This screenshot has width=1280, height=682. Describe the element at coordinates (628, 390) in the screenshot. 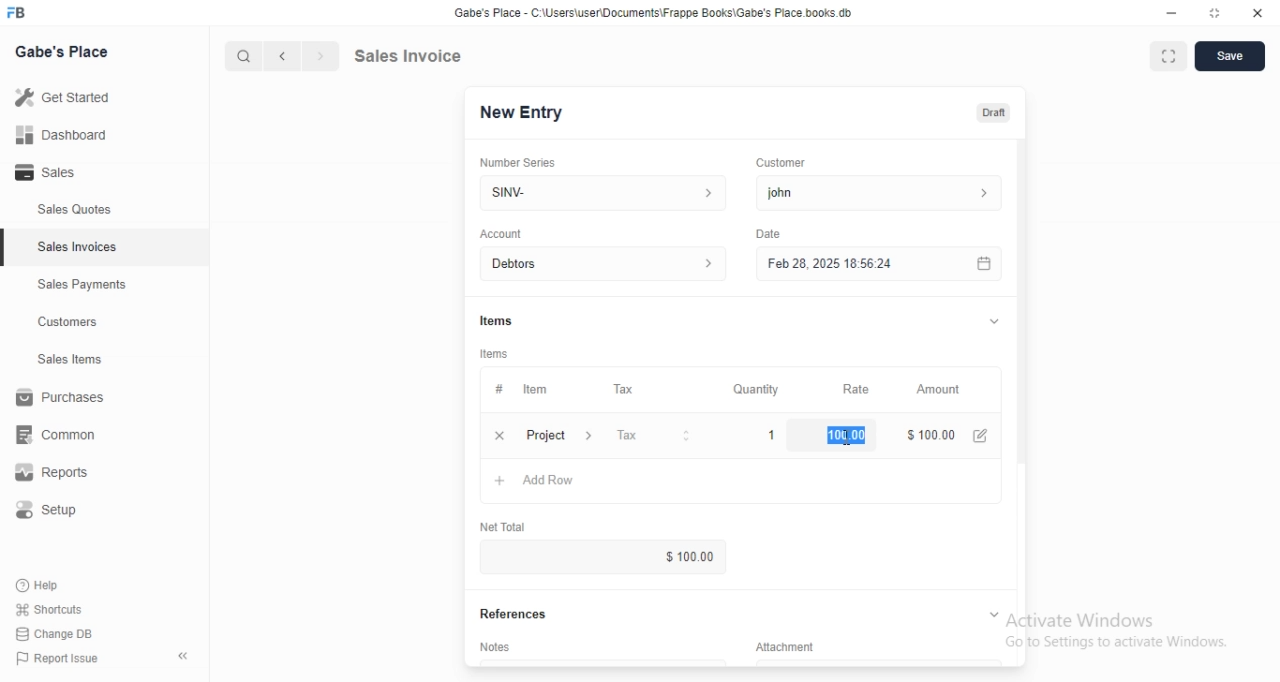

I see `Tax` at that location.